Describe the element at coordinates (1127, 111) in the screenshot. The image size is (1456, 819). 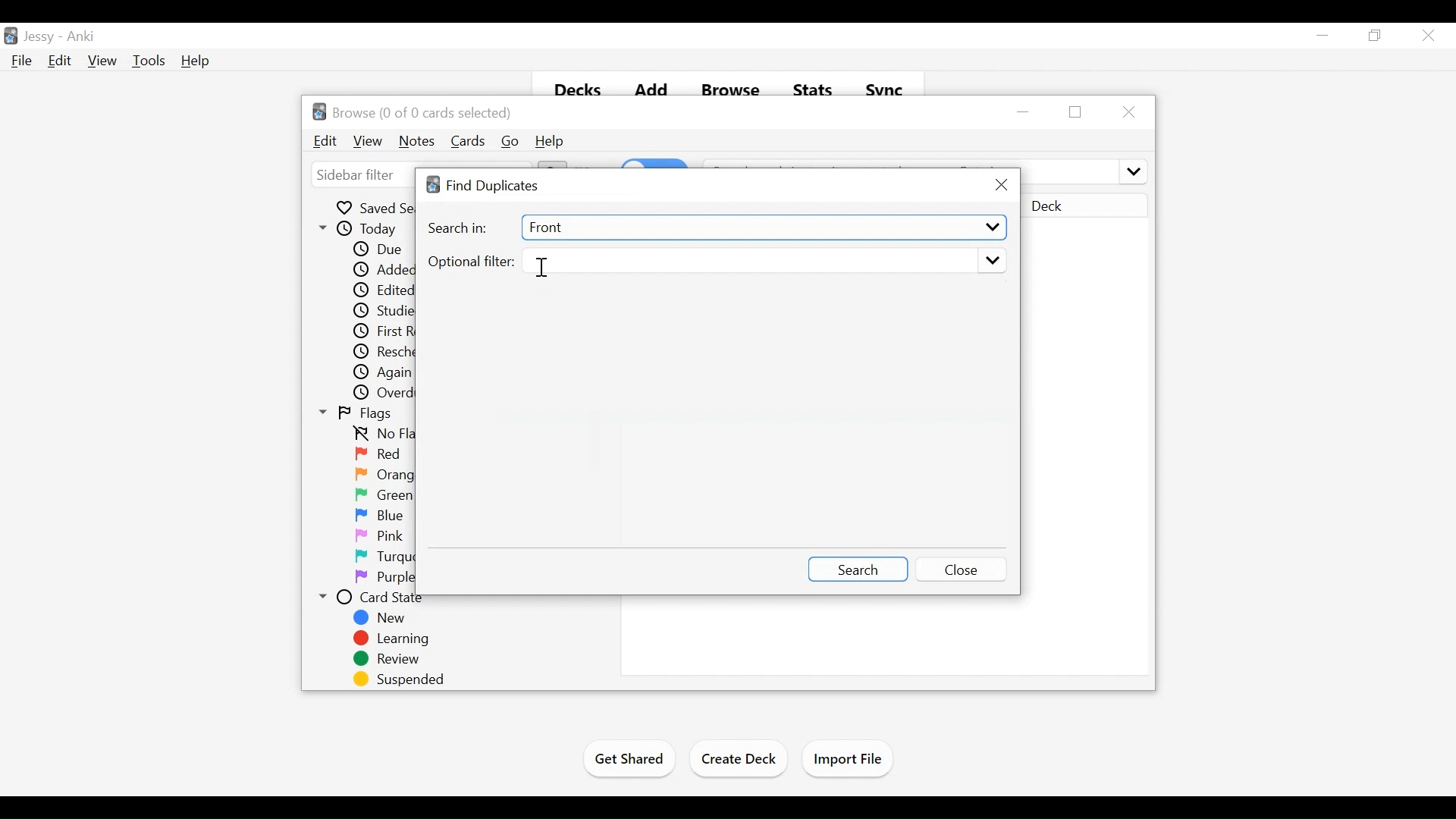
I see `Close` at that location.